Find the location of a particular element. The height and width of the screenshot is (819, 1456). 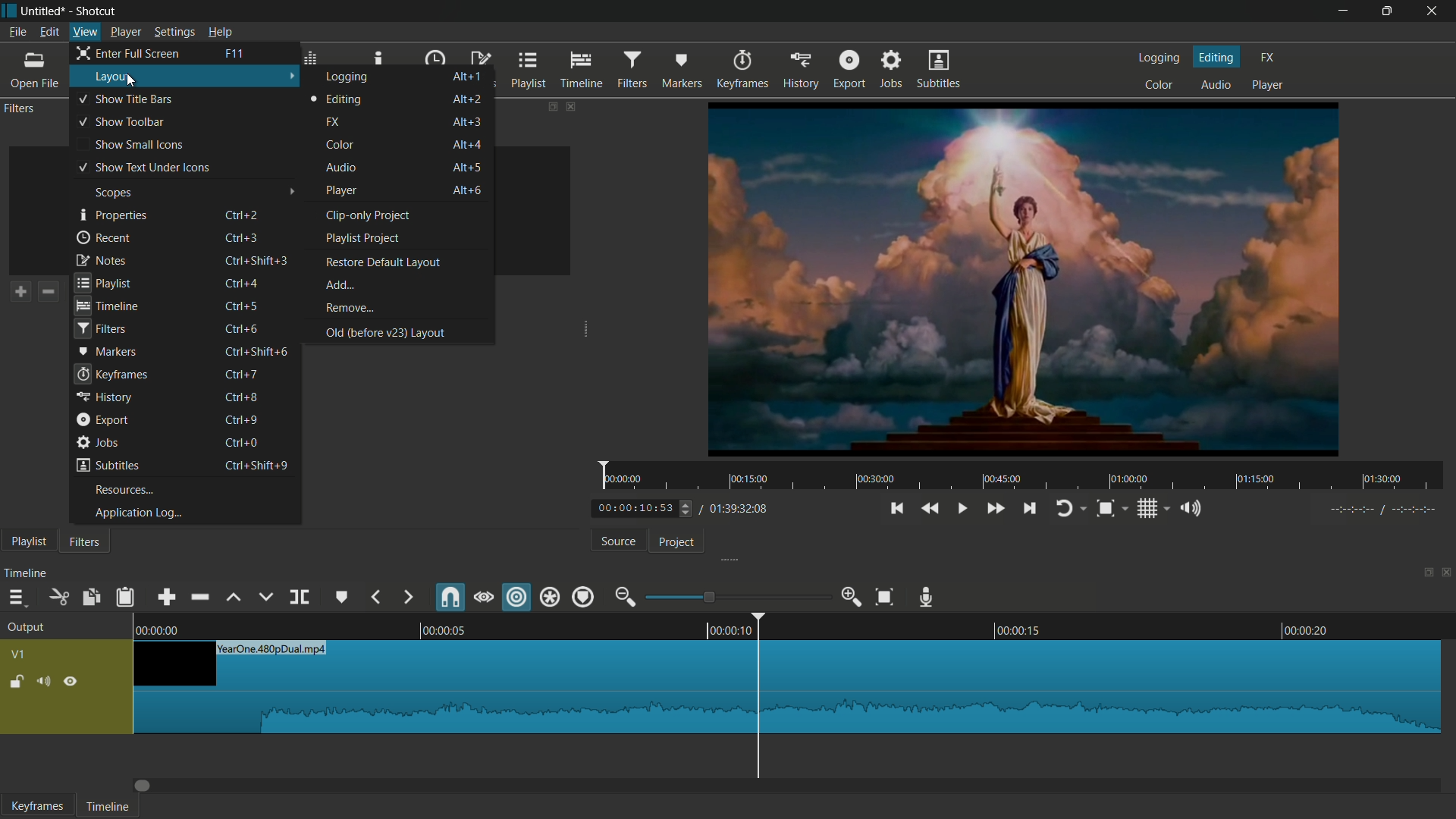

v1 is located at coordinates (17, 656).